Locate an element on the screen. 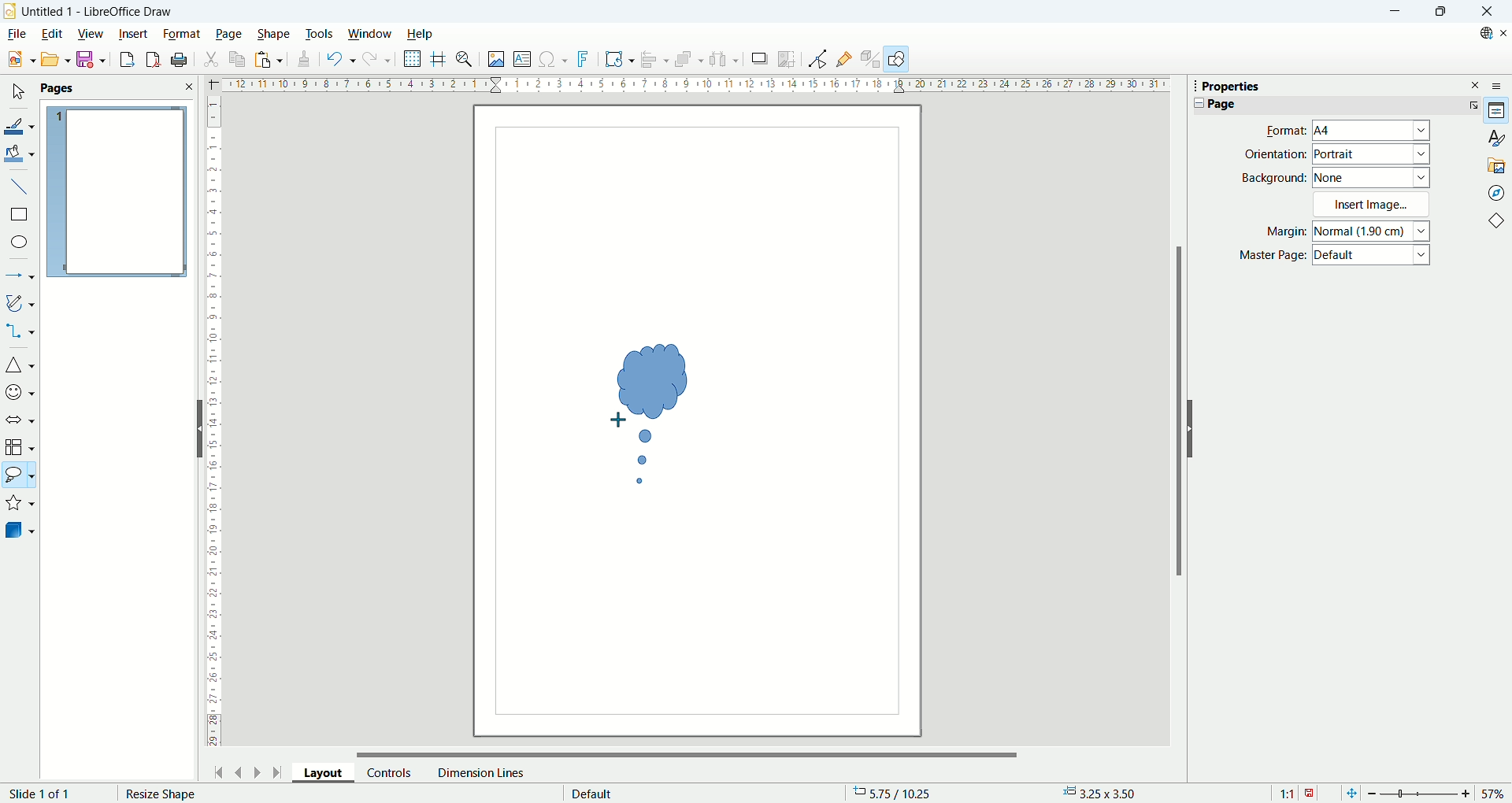 The image size is (1512, 803). Close sidebar deck is located at coordinates (1476, 84).